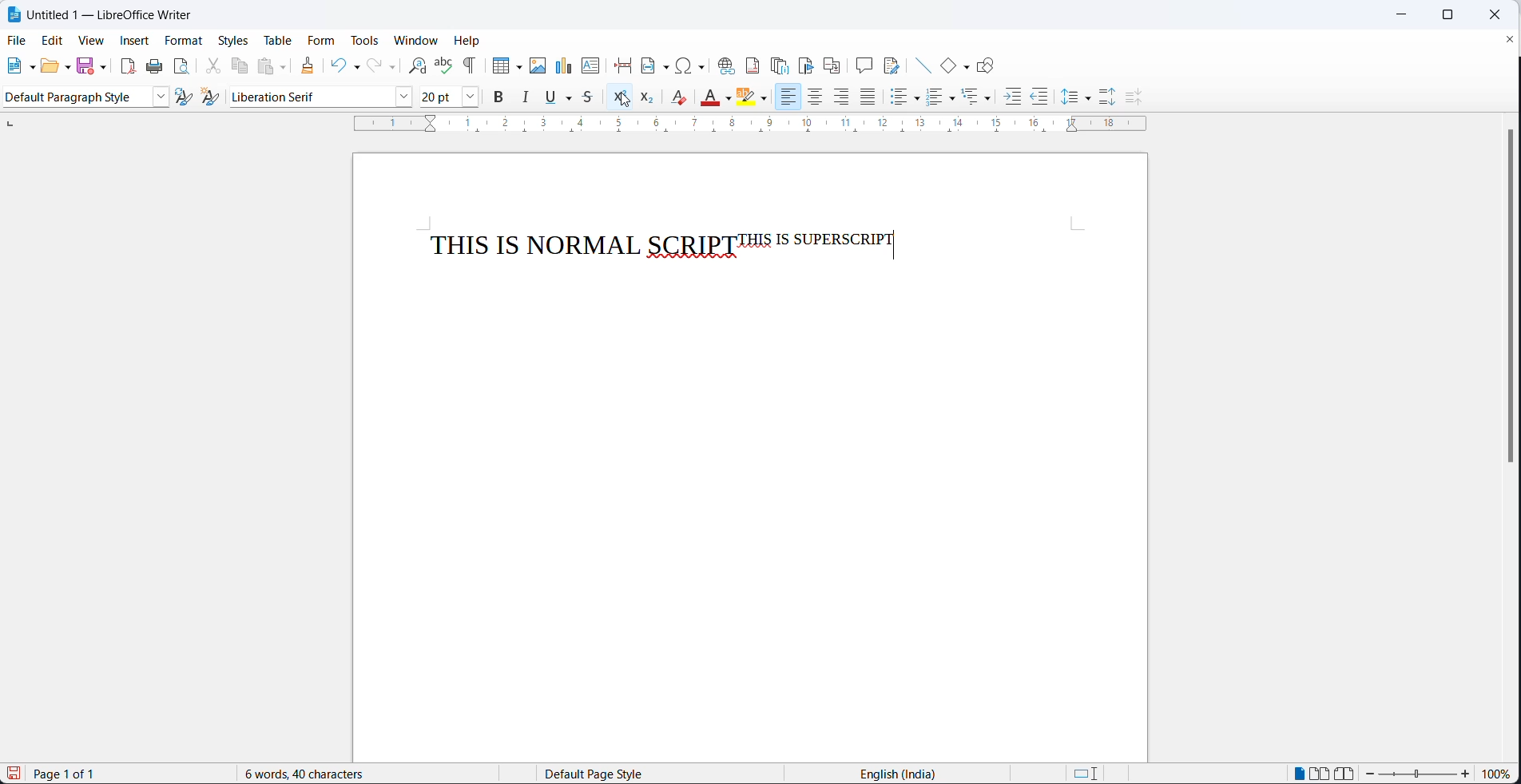  Describe the element at coordinates (864, 63) in the screenshot. I see `insert comments` at that location.